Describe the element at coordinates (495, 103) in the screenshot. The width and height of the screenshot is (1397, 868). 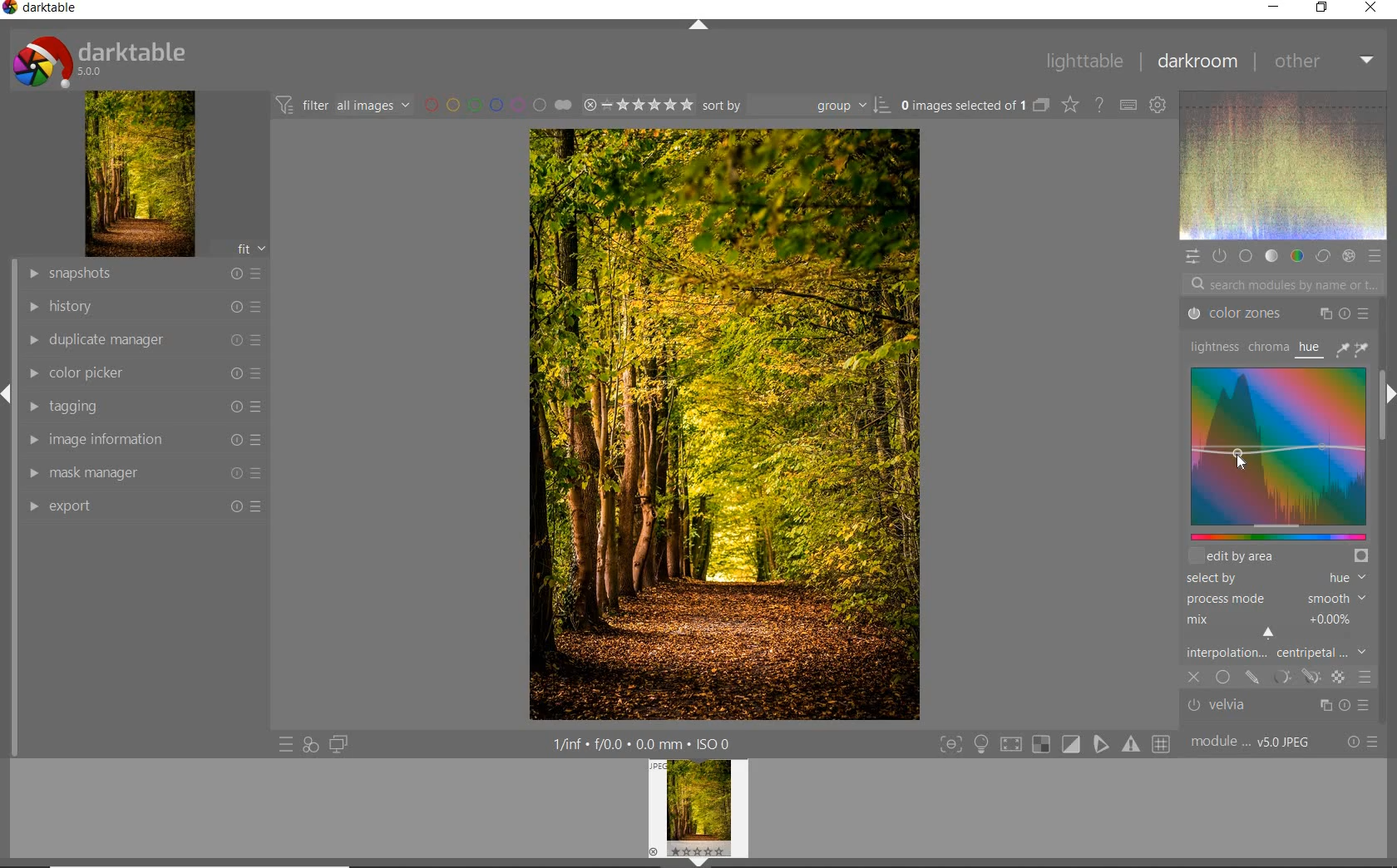
I see `FILTER BY IMAGE COLOR LABEL` at that location.